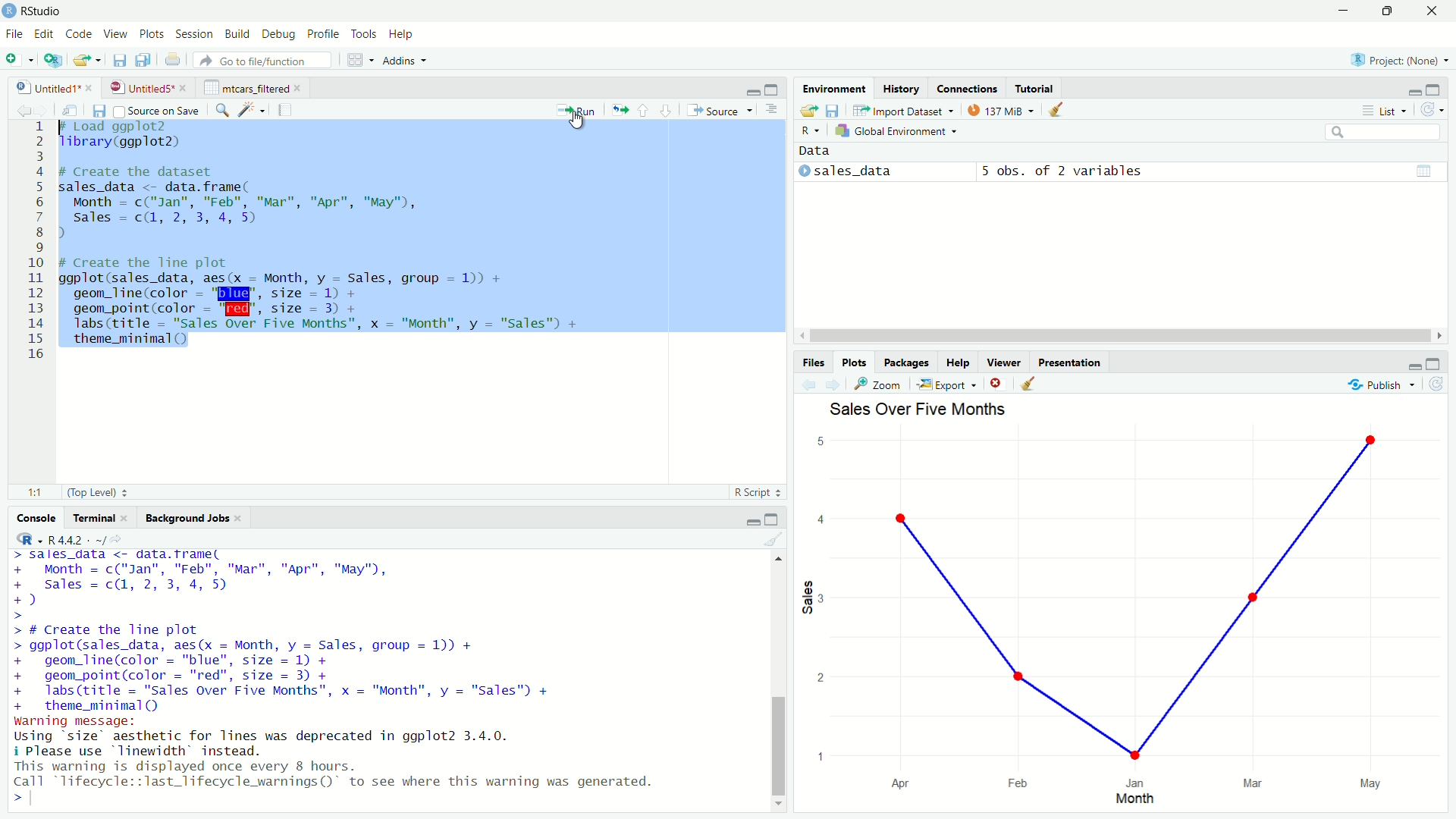 Image resolution: width=1456 pixels, height=819 pixels. Describe the element at coordinates (816, 363) in the screenshot. I see `files` at that location.